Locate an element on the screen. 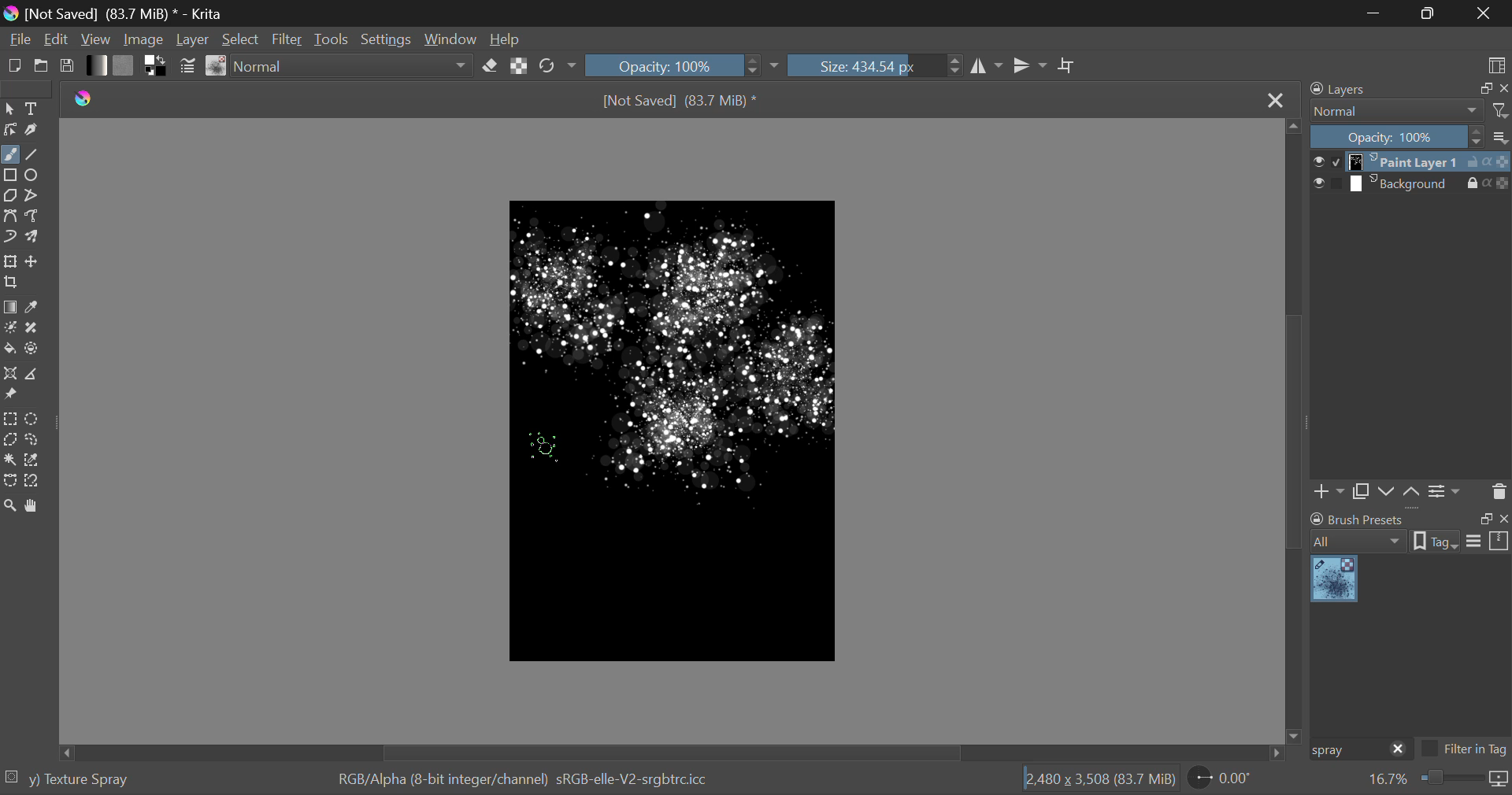 This screenshot has height=795, width=1512. brush presets  is located at coordinates (1358, 519).